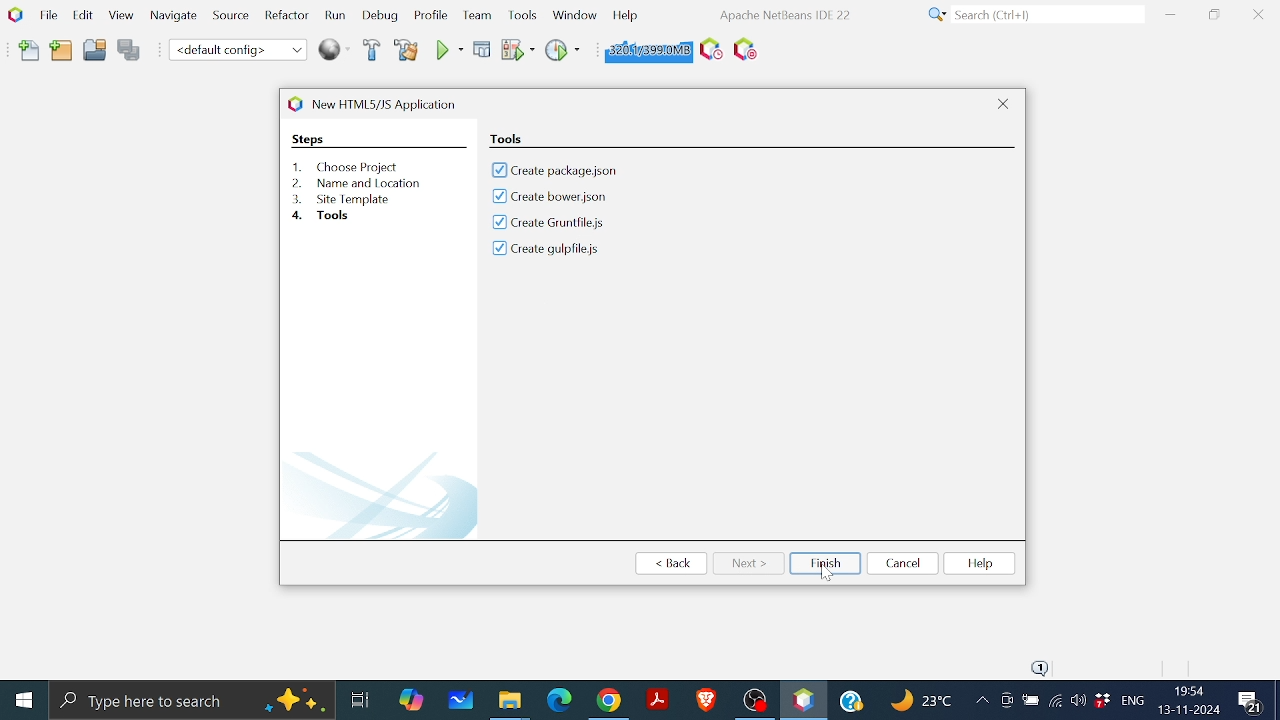  What do you see at coordinates (406, 49) in the screenshot?
I see `Clean and build` at bounding box center [406, 49].